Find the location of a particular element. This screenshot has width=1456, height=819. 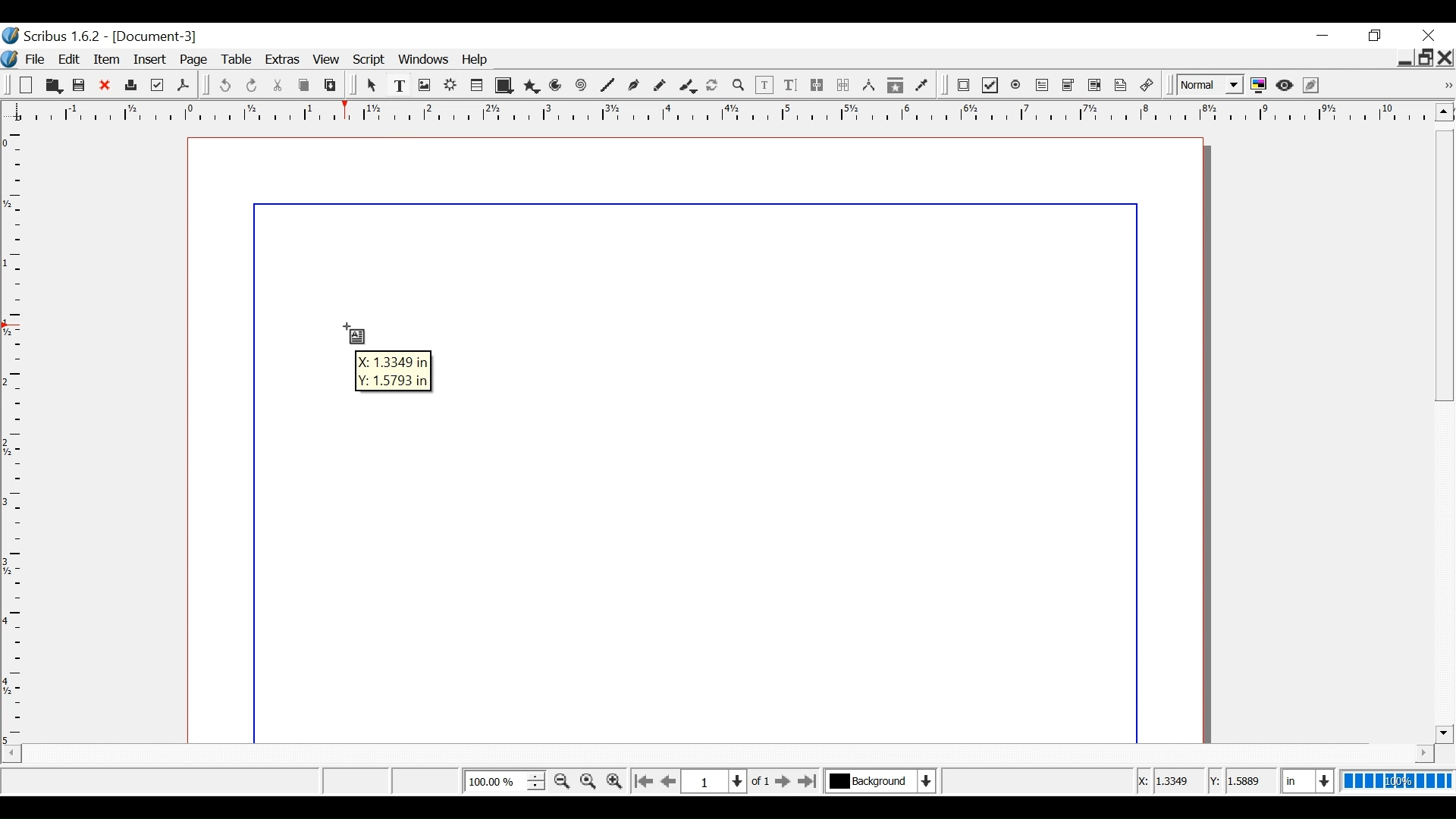

Cut is located at coordinates (279, 83).